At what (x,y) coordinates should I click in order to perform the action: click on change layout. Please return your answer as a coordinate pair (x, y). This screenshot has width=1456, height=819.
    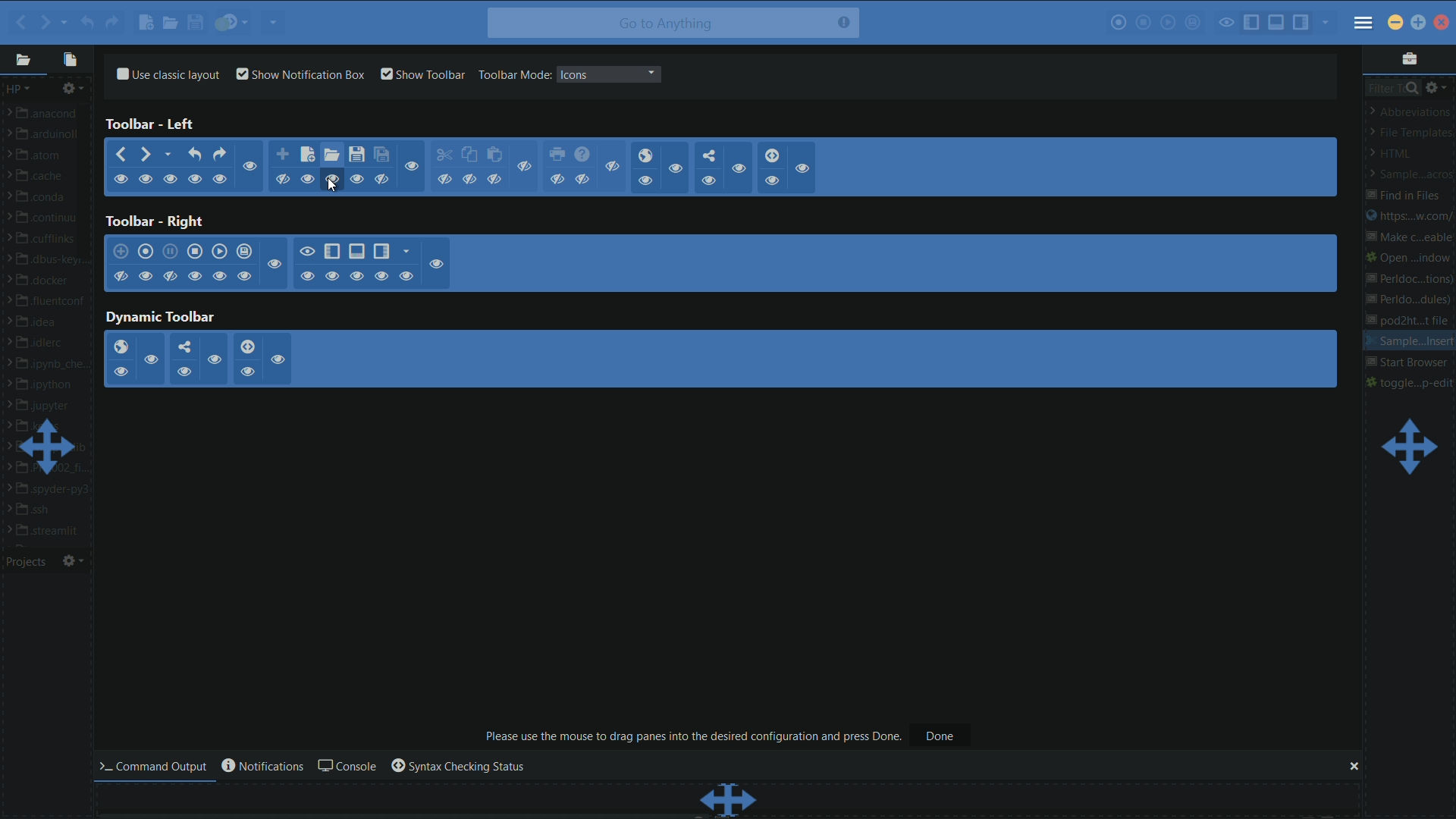
    Looking at the image, I should click on (1407, 447).